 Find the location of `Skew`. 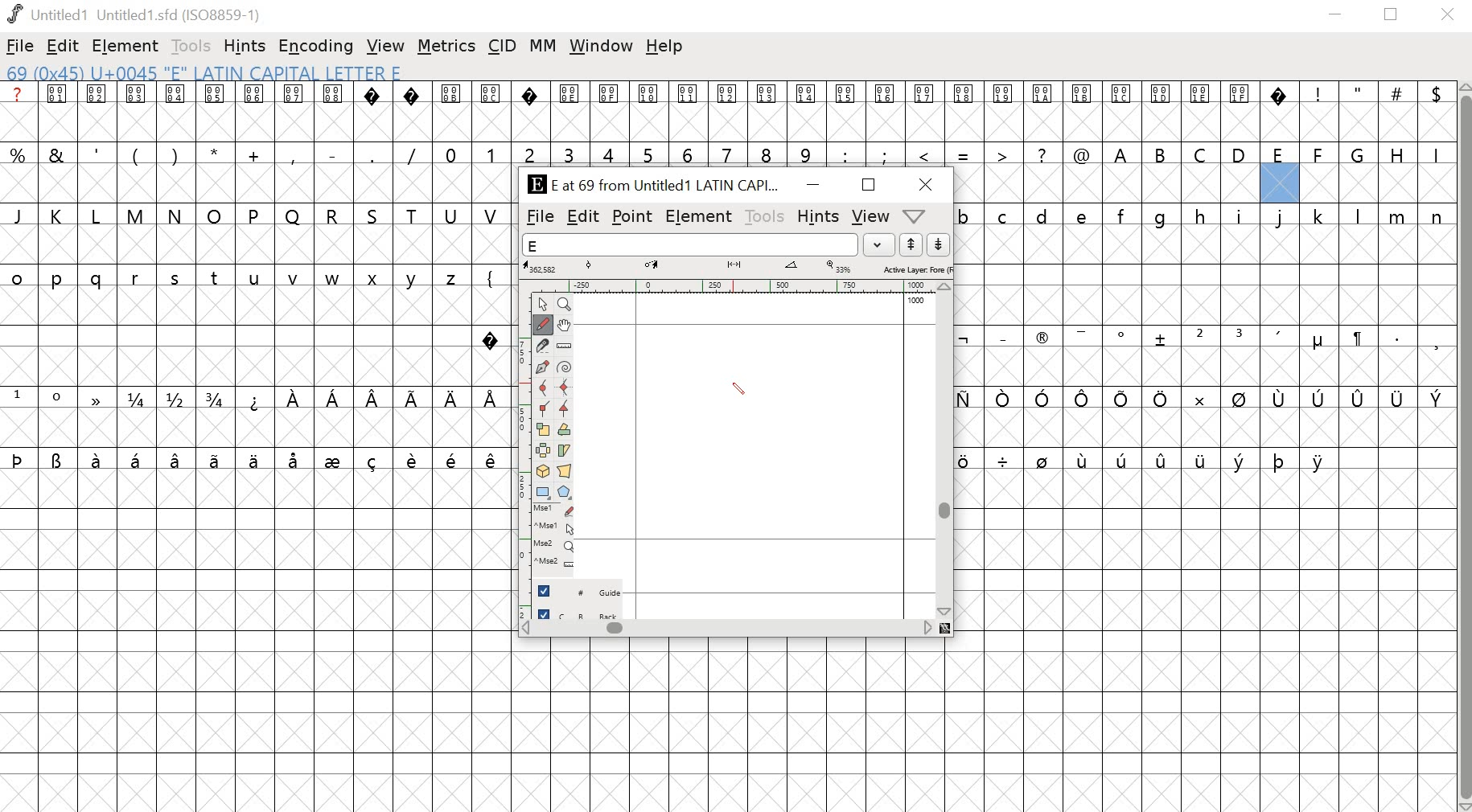

Skew is located at coordinates (566, 450).